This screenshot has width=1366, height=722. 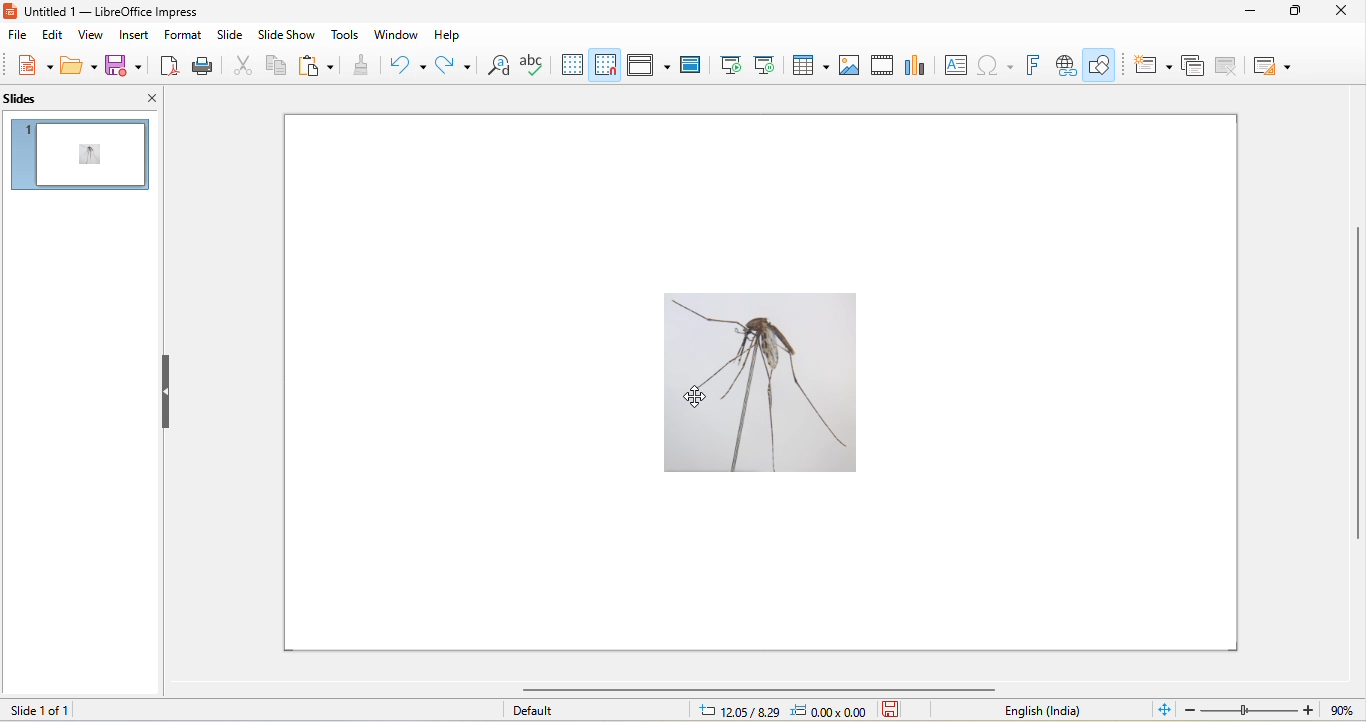 I want to click on display views, so click(x=649, y=64).